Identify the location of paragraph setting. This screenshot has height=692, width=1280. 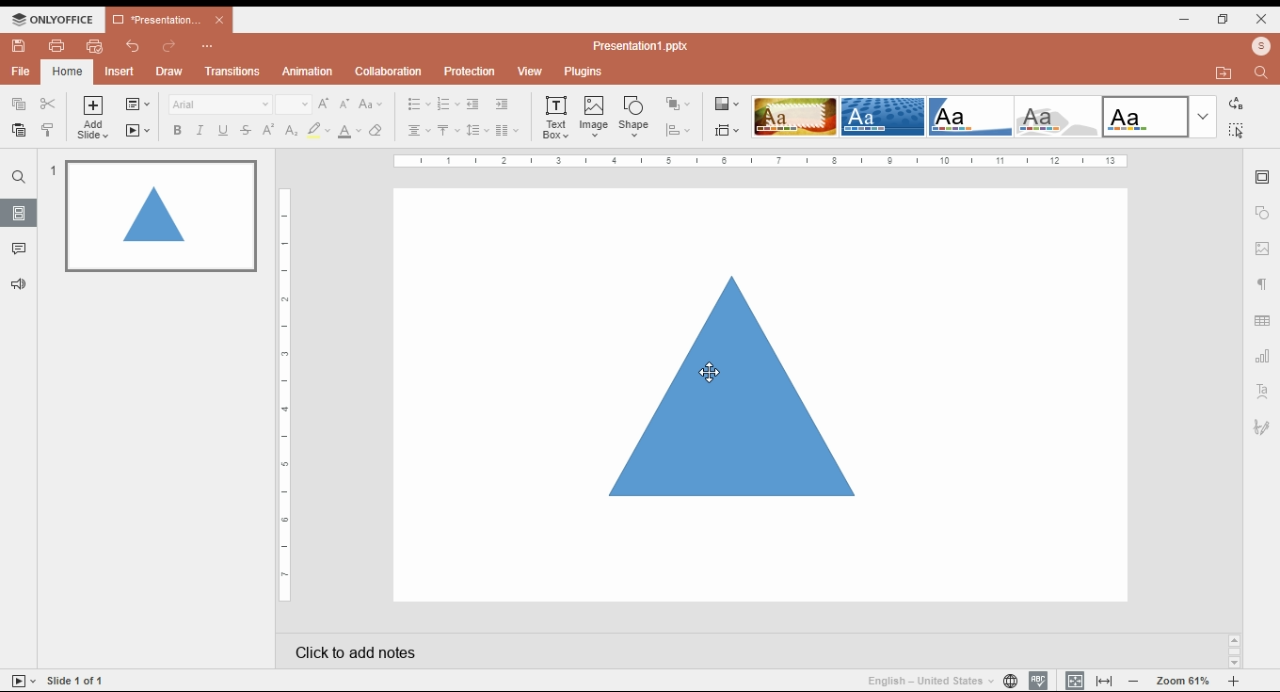
(1266, 284).